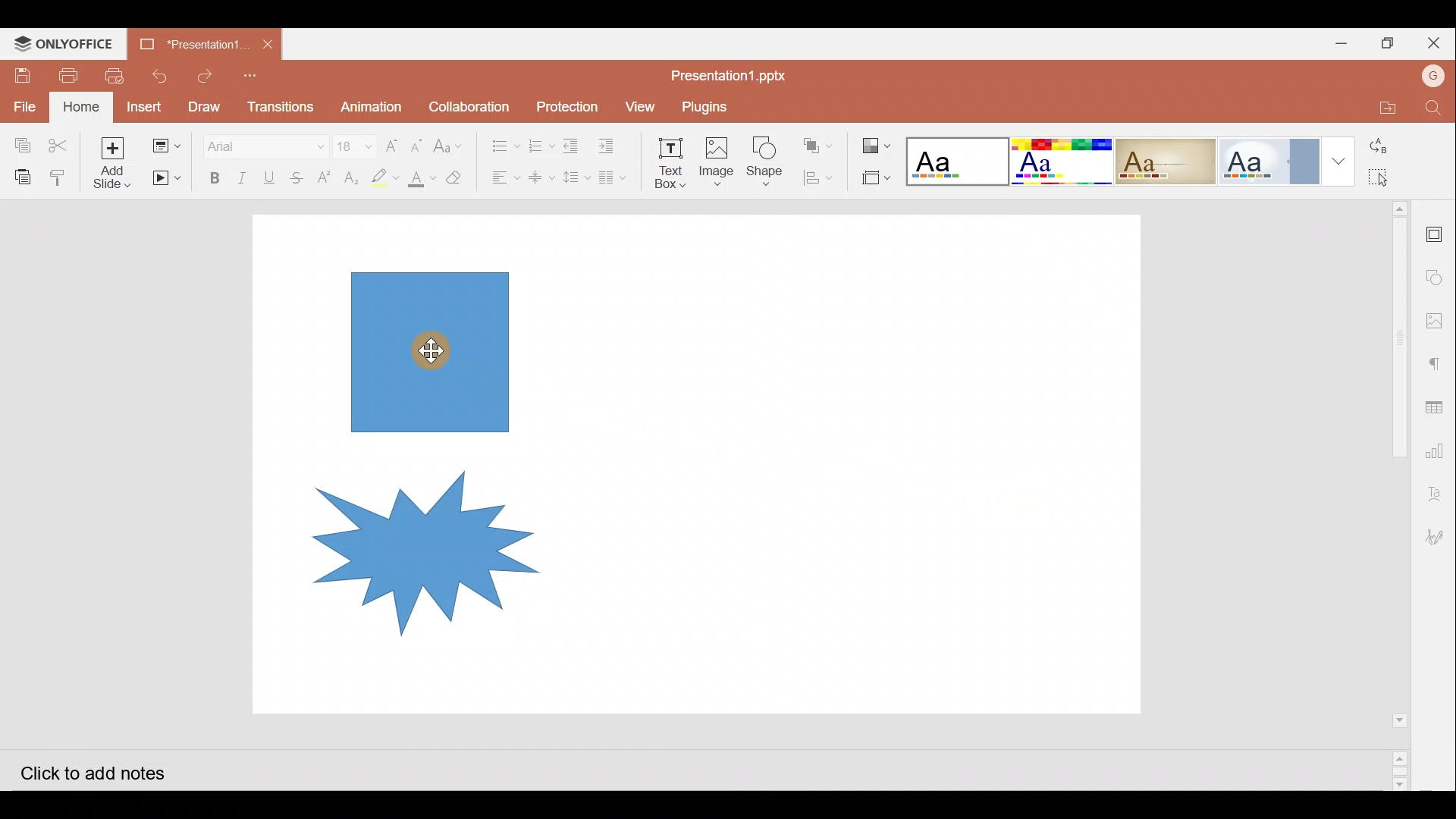  What do you see at coordinates (1439, 316) in the screenshot?
I see `Image settings` at bounding box center [1439, 316].